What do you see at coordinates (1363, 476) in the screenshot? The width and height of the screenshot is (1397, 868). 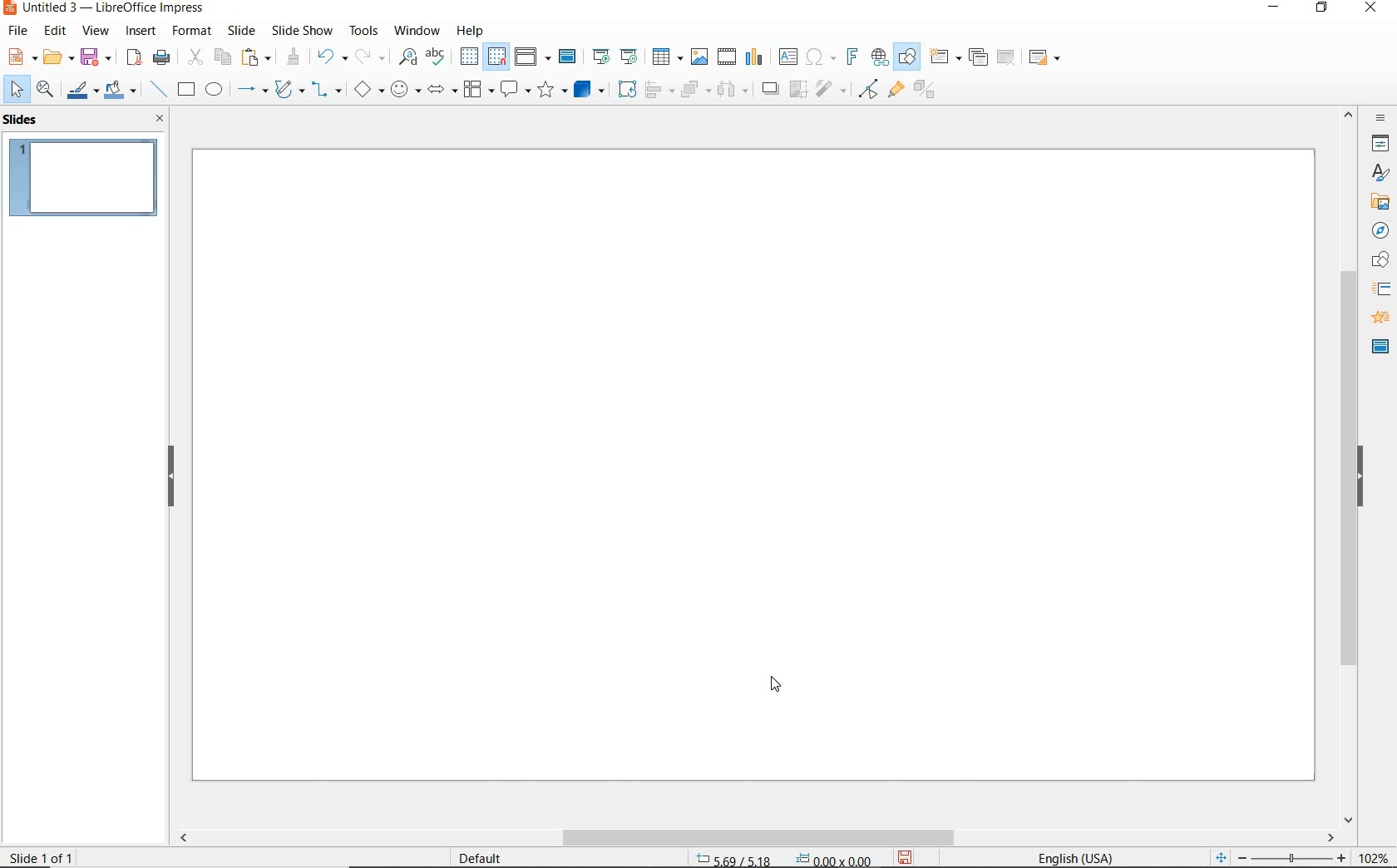 I see `HIDE` at bounding box center [1363, 476].